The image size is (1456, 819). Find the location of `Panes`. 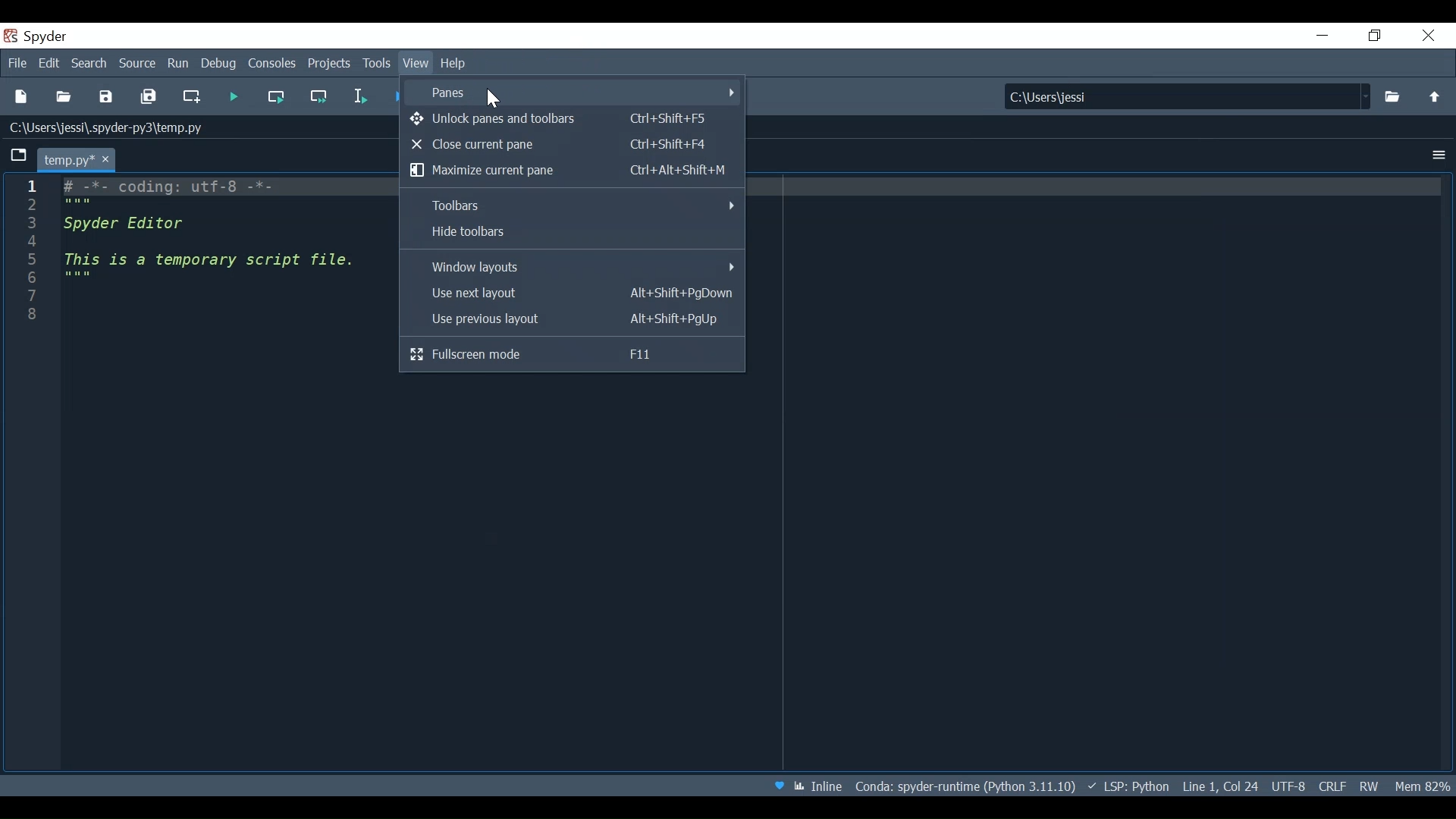

Panes is located at coordinates (572, 93).